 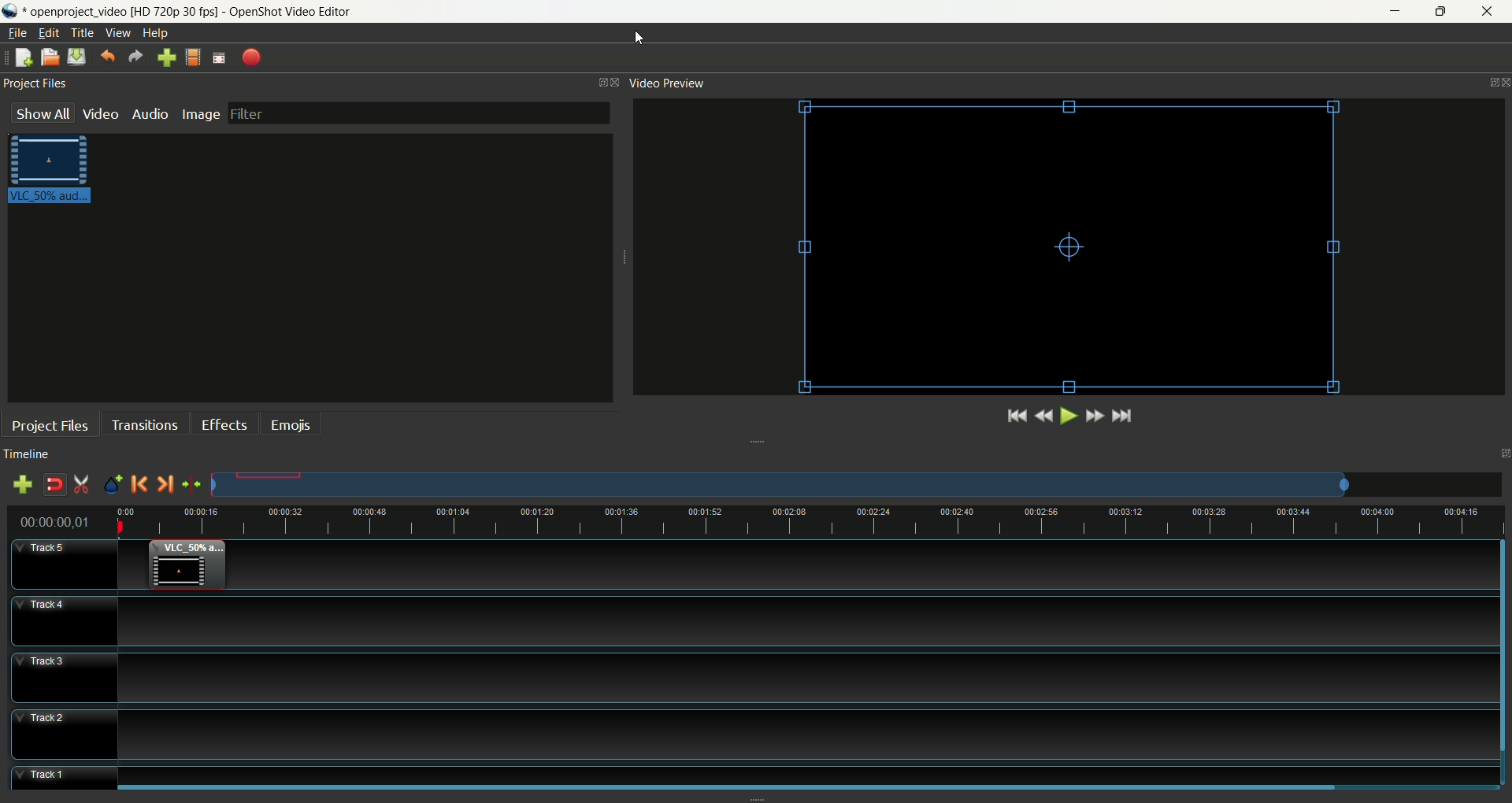 I want to click on file, so click(x=18, y=33).